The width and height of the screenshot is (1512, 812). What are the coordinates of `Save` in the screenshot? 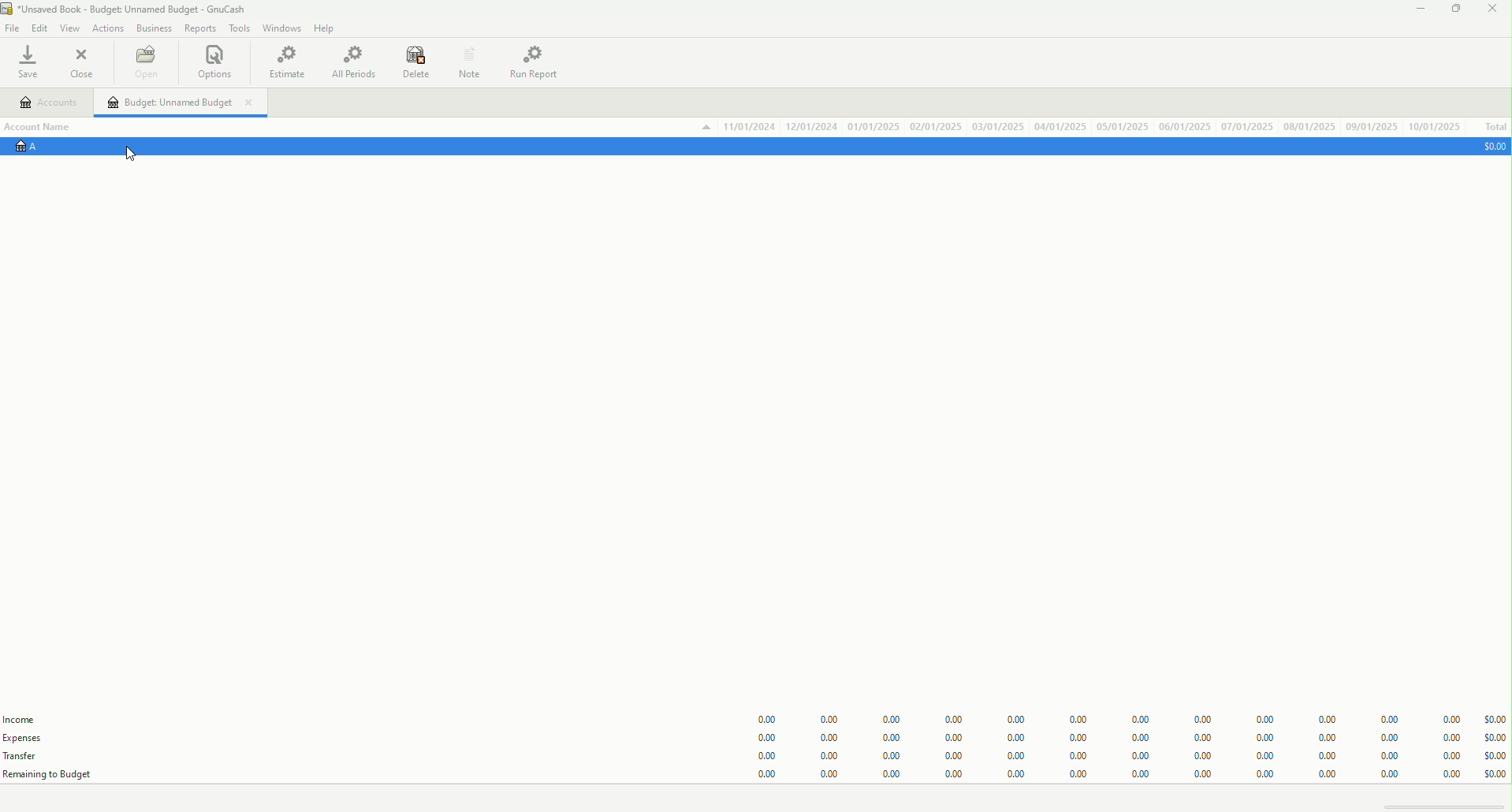 It's located at (32, 61).